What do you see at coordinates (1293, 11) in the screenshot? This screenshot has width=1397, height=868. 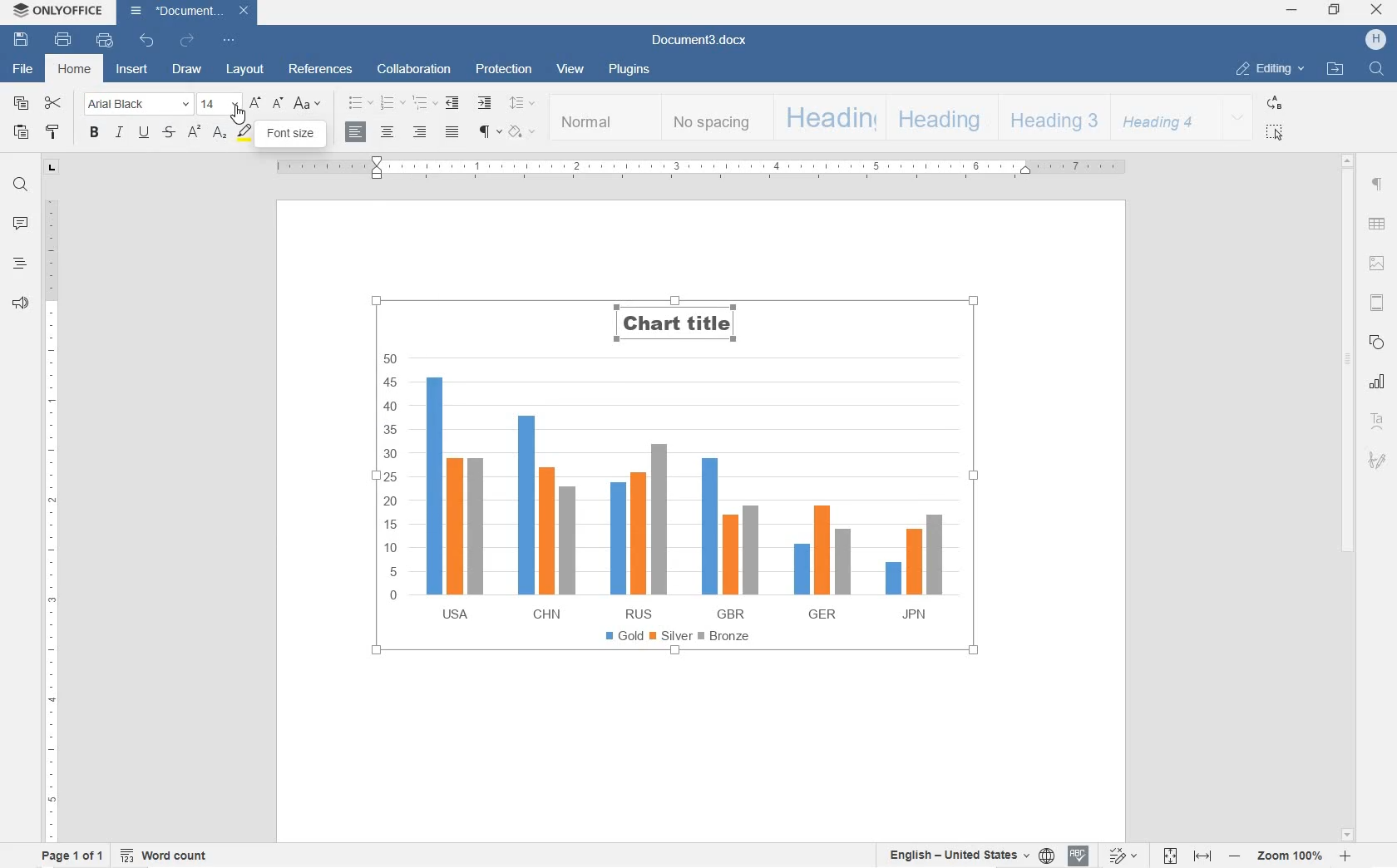 I see `MINIMIZE` at bounding box center [1293, 11].